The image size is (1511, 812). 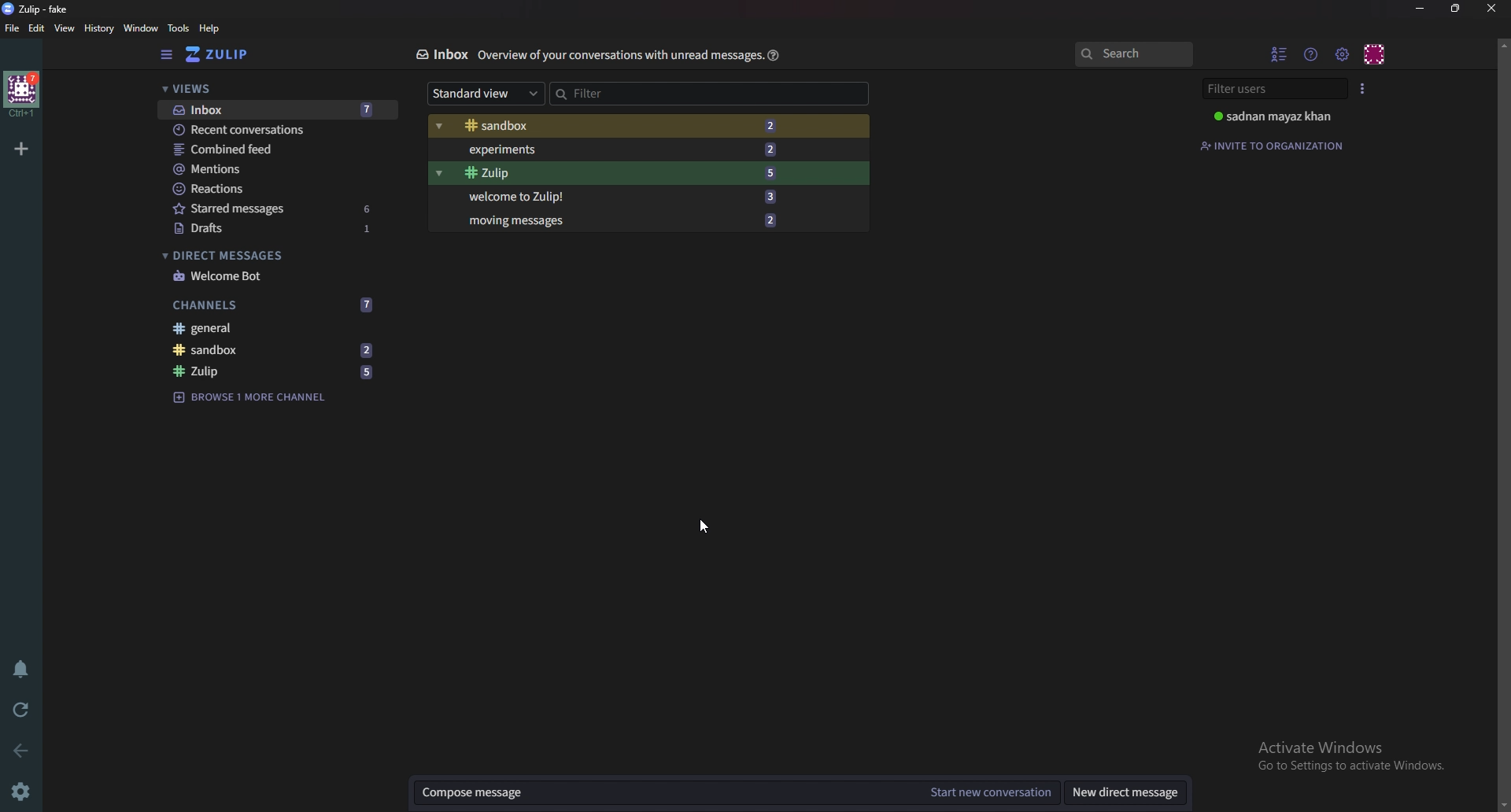 What do you see at coordinates (621, 54) in the screenshot?
I see `Info` at bounding box center [621, 54].